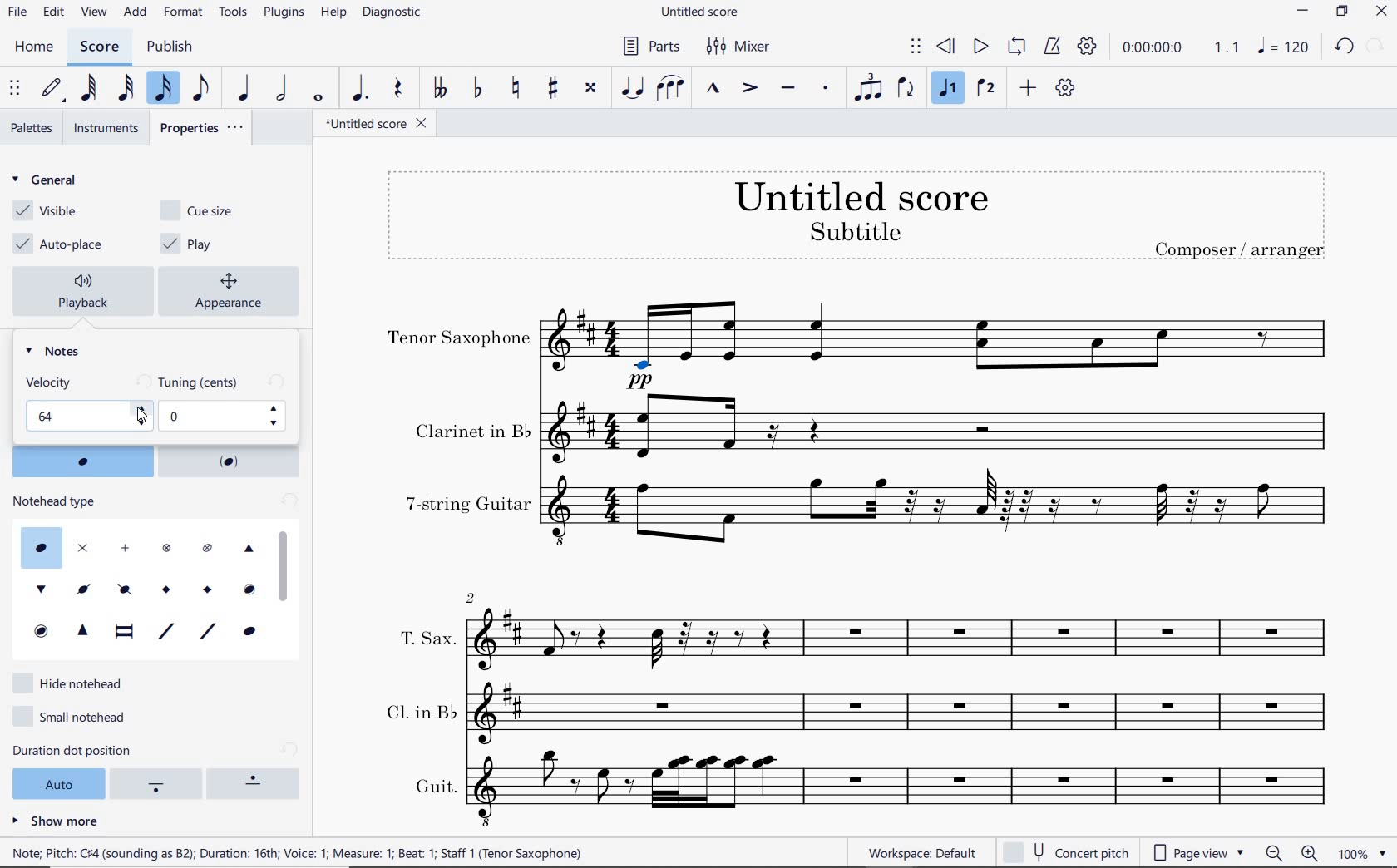  I want to click on show more, so click(56, 820).